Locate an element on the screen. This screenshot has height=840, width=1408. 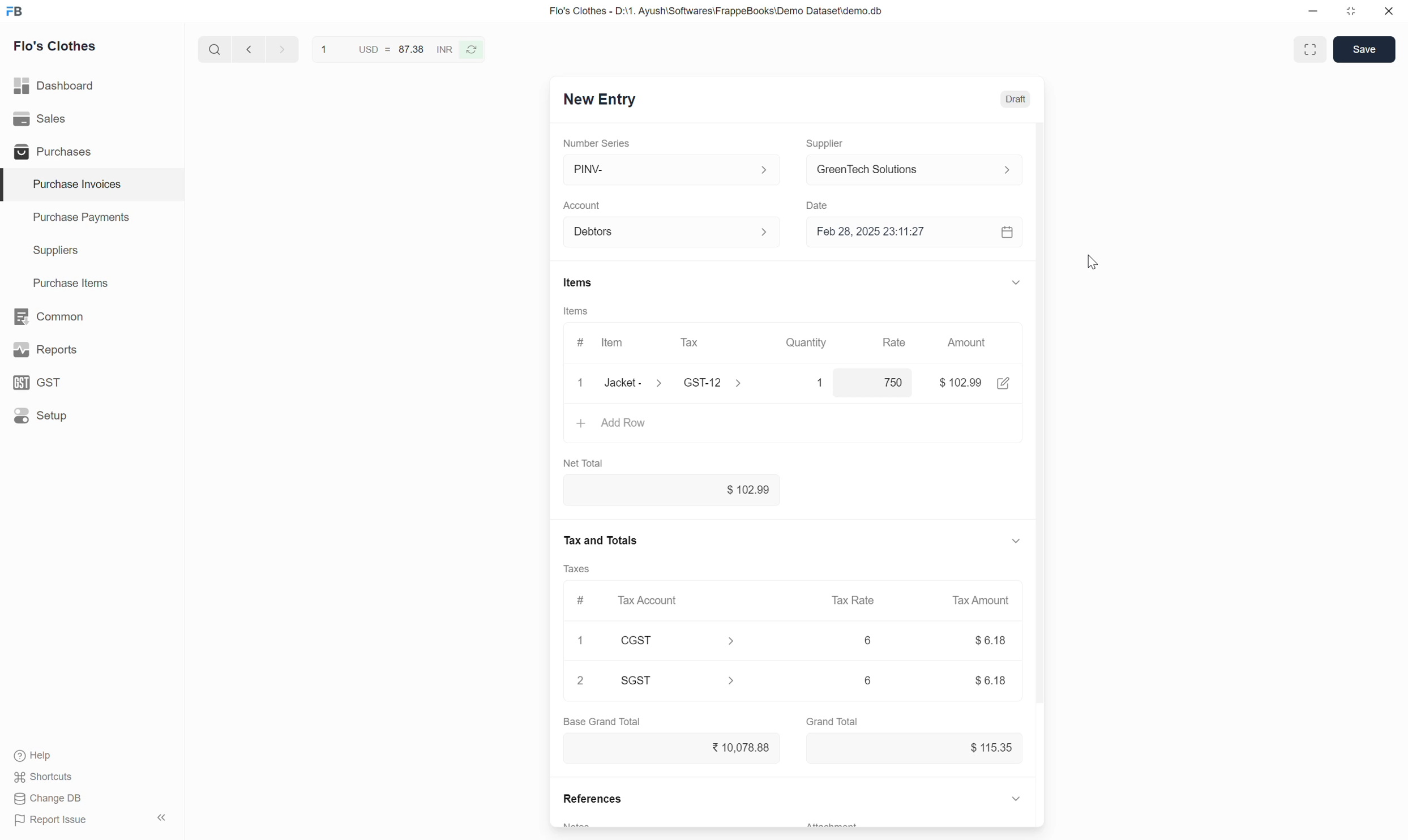
Purchases is located at coordinates (91, 151).